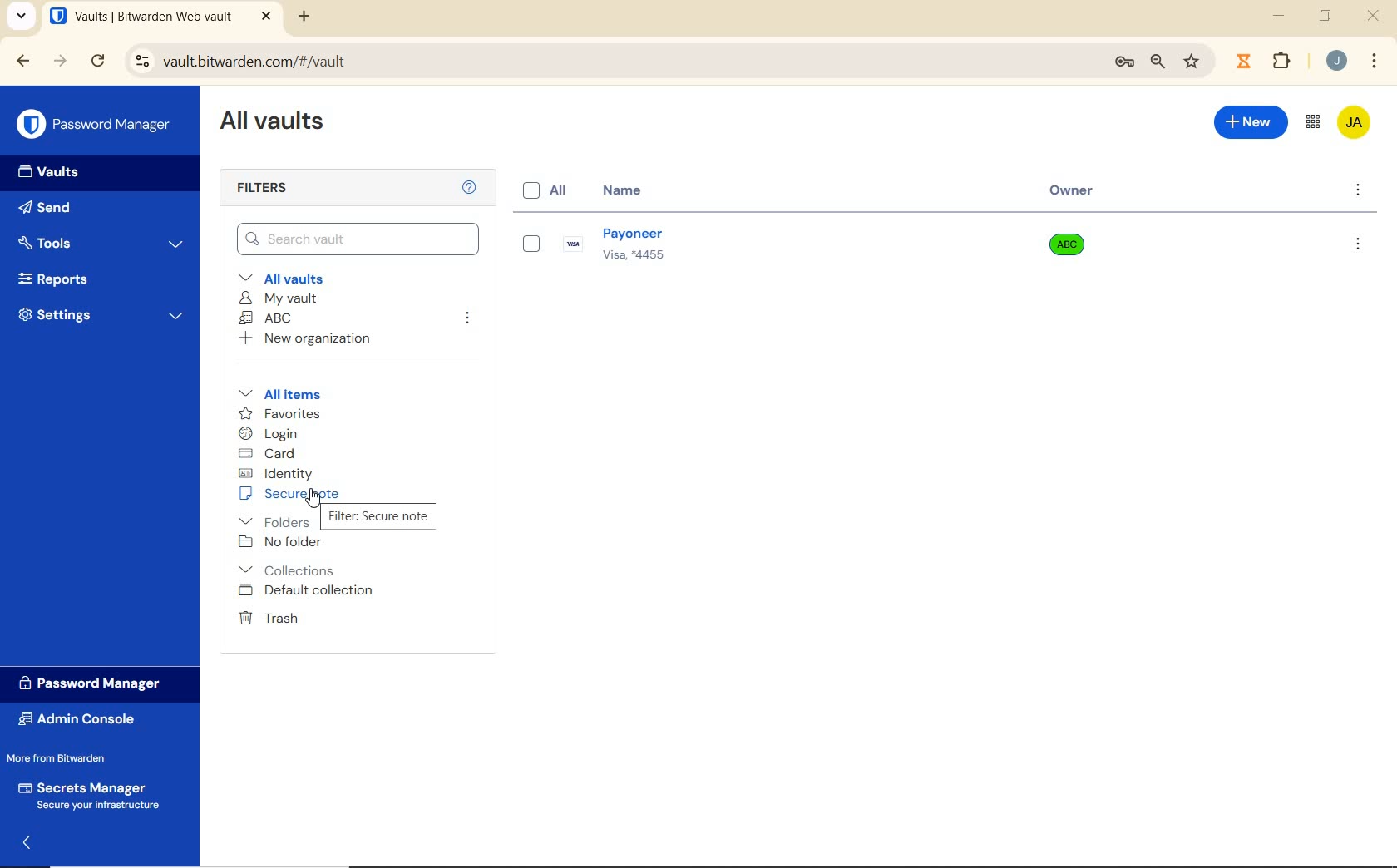  Describe the element at coordinates (266, 319) in the screenshot. I see `ABC` at that location.